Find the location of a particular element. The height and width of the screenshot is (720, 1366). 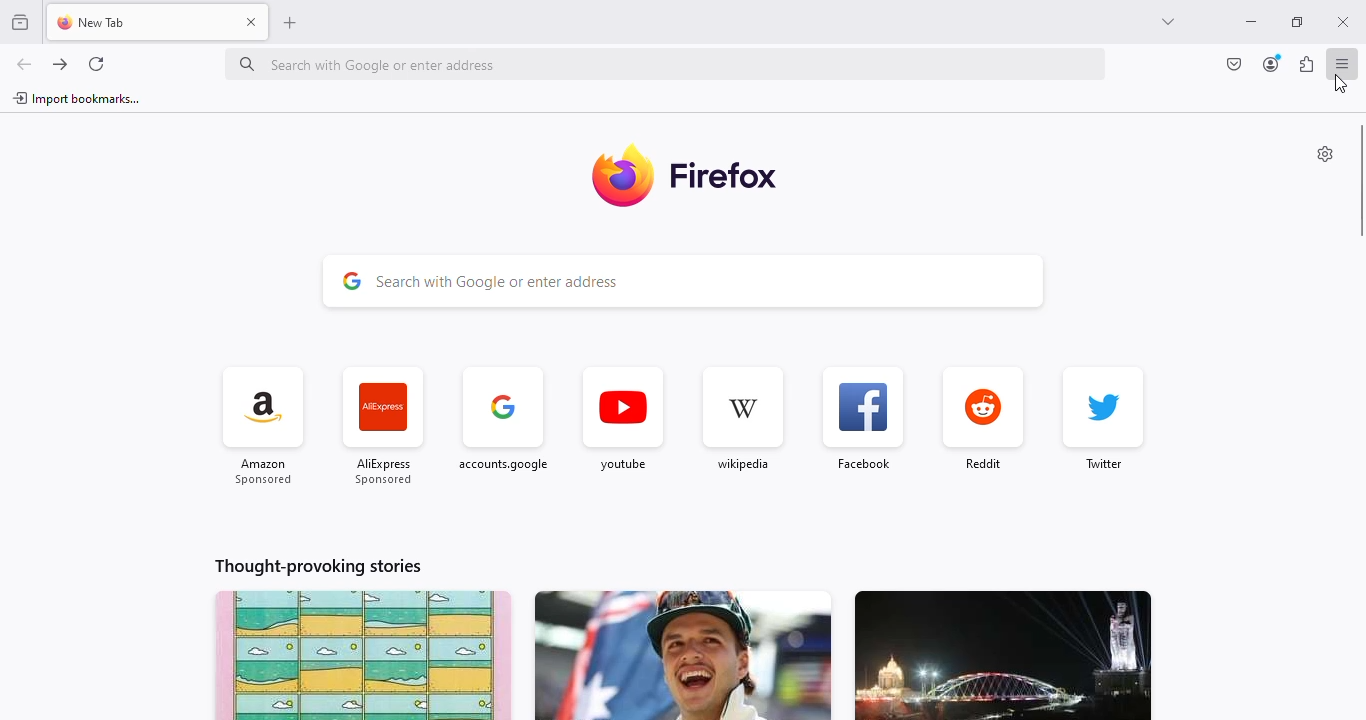

open a new tab is located at coordinates (289, 24).